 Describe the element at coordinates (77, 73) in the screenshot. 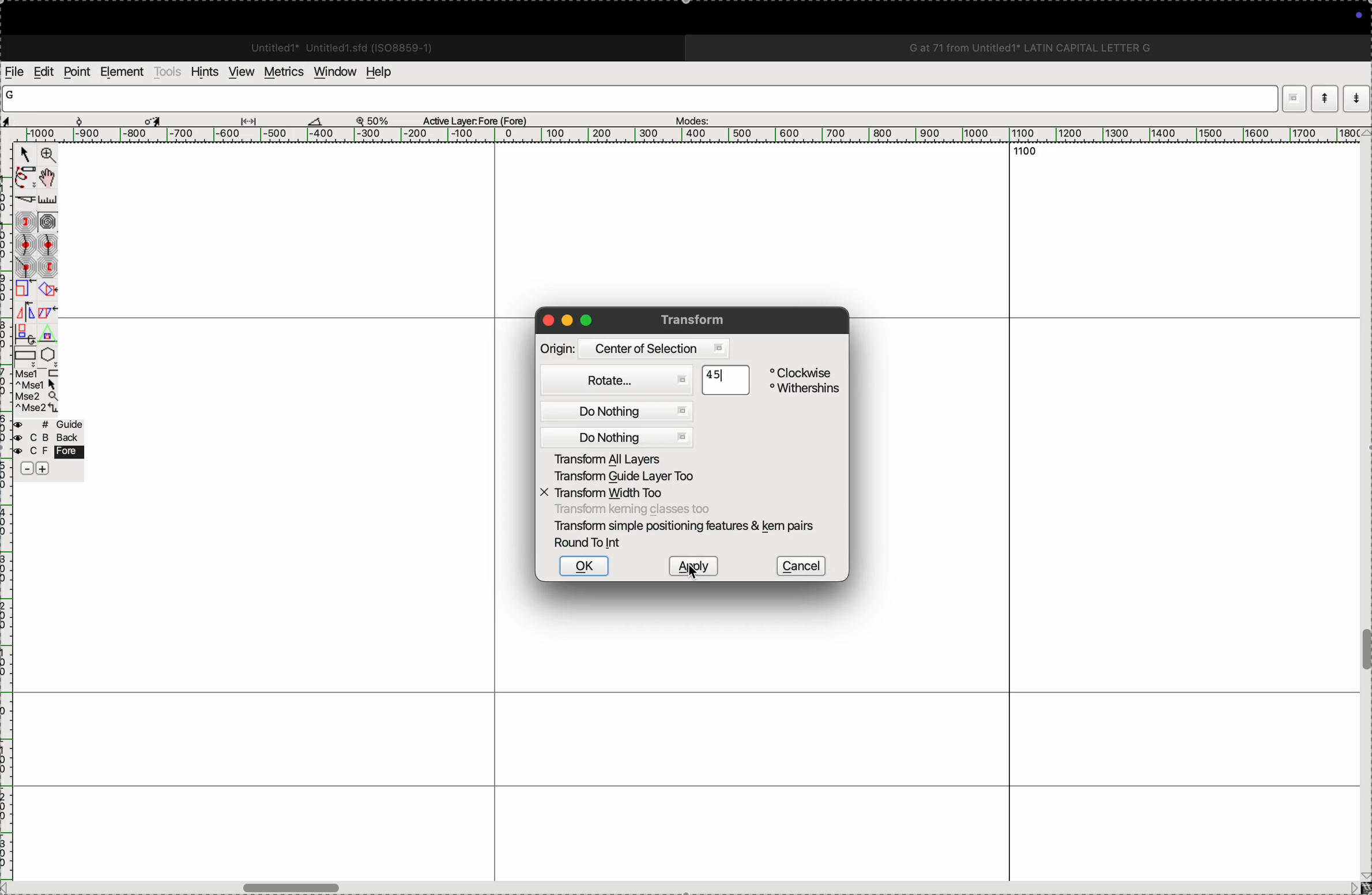

I see `points` at that location.